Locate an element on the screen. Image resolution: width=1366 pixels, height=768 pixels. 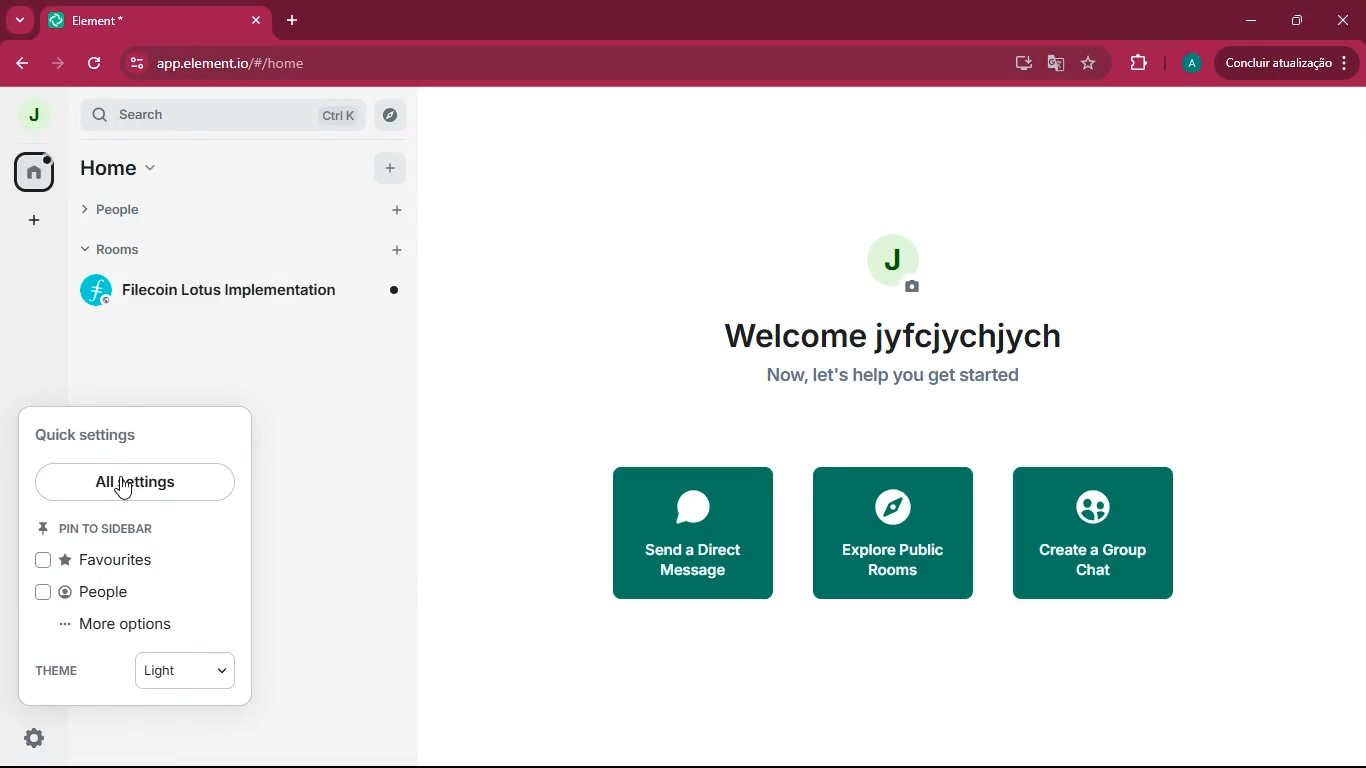
settings is located at coordinates (30, 739).